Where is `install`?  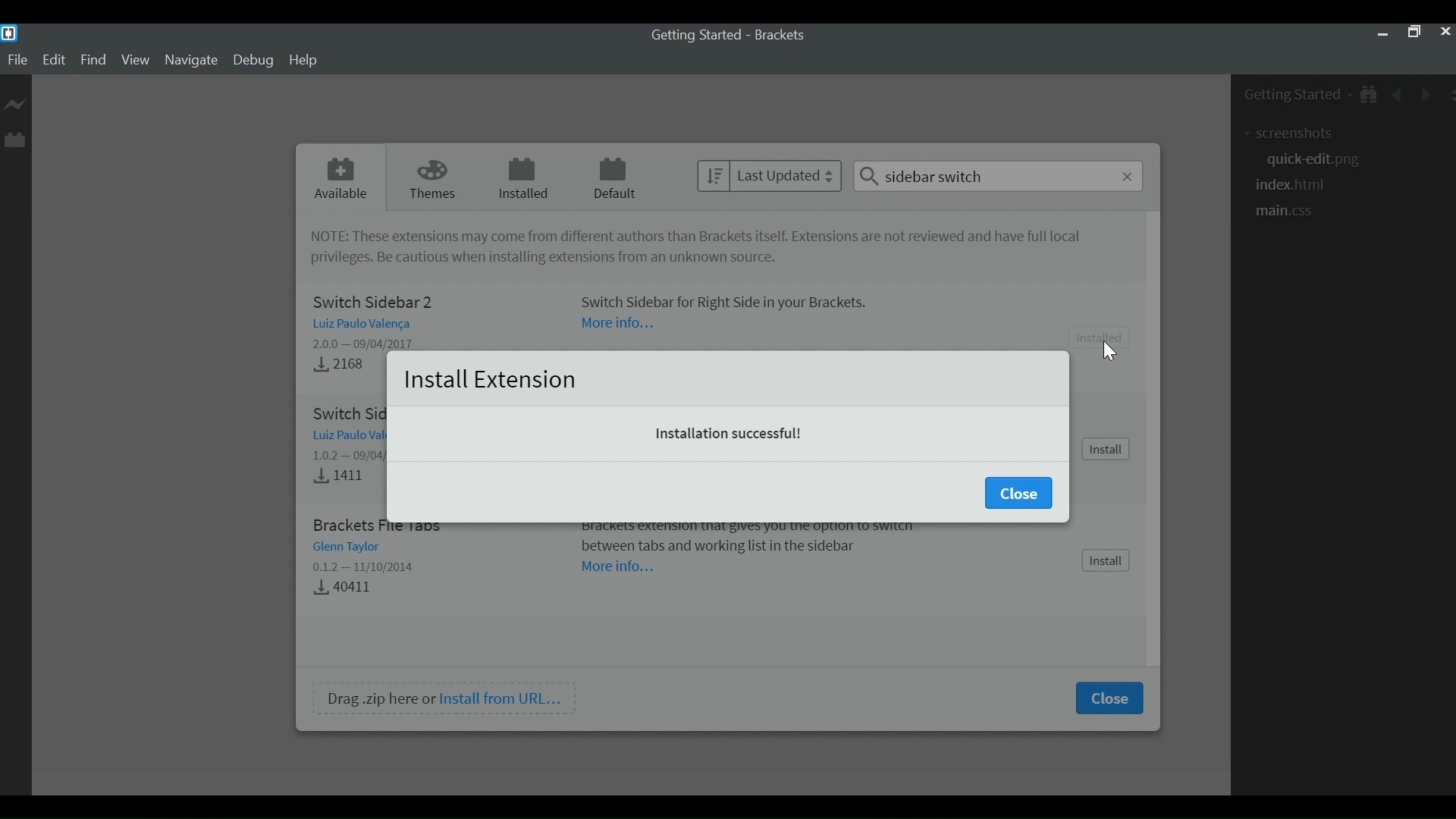 install is located at coordinates (1102, 336).